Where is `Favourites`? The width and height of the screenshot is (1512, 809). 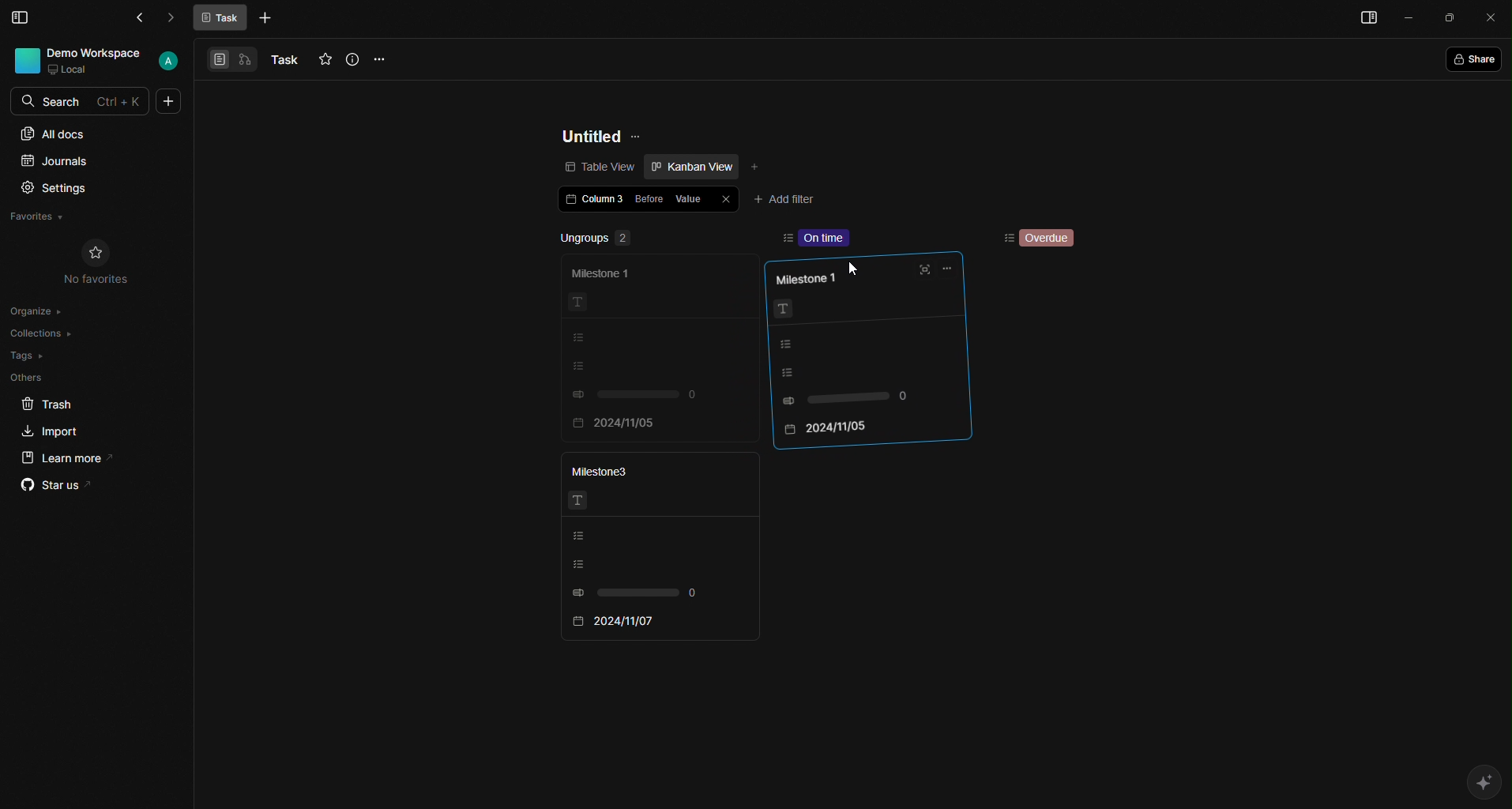 Favourites is located at coordinates (325, 58).